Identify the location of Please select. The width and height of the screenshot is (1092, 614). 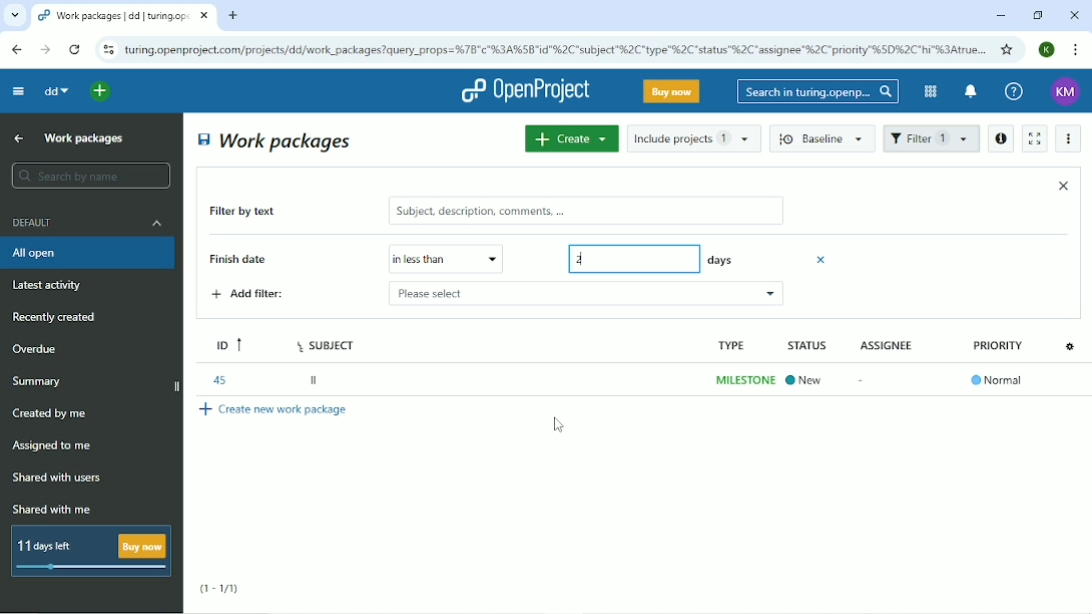
(431, 258).